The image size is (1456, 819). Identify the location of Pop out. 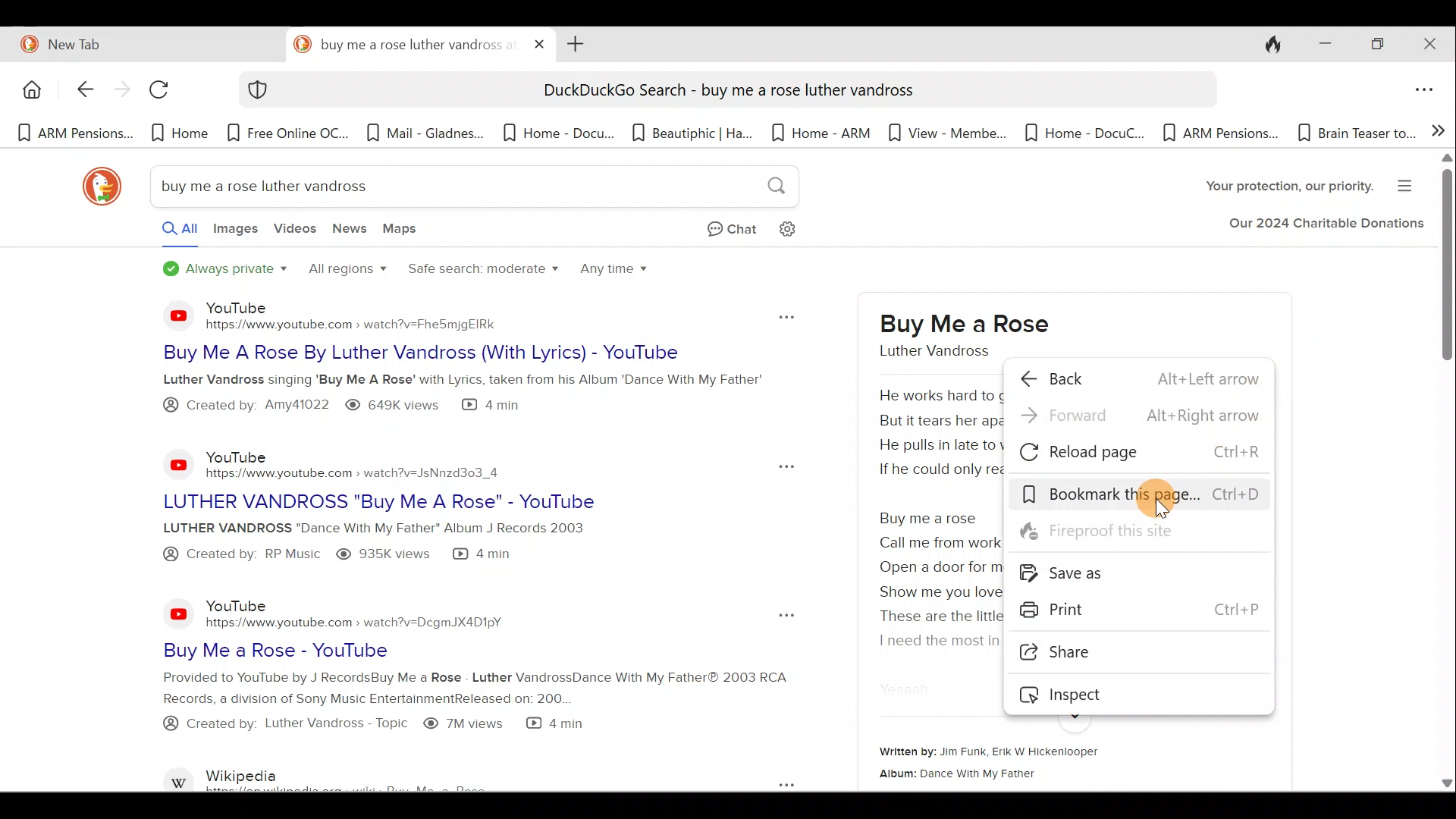
(783, 314).